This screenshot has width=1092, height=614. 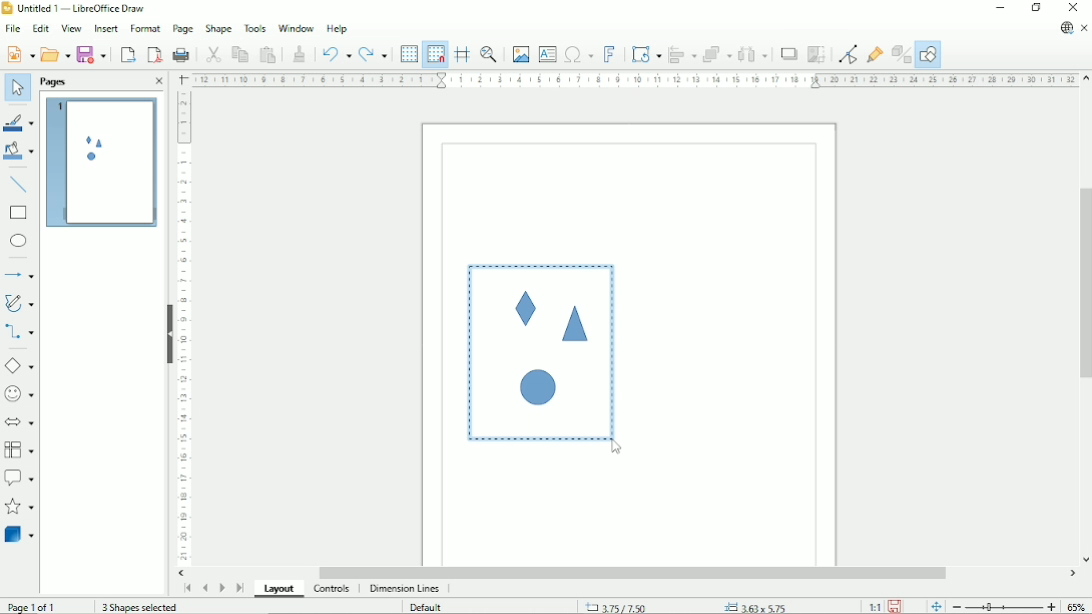 What do you see at coordinates (71, 27) in the screenshot?
I see `View` at bounding box center [71, 27].